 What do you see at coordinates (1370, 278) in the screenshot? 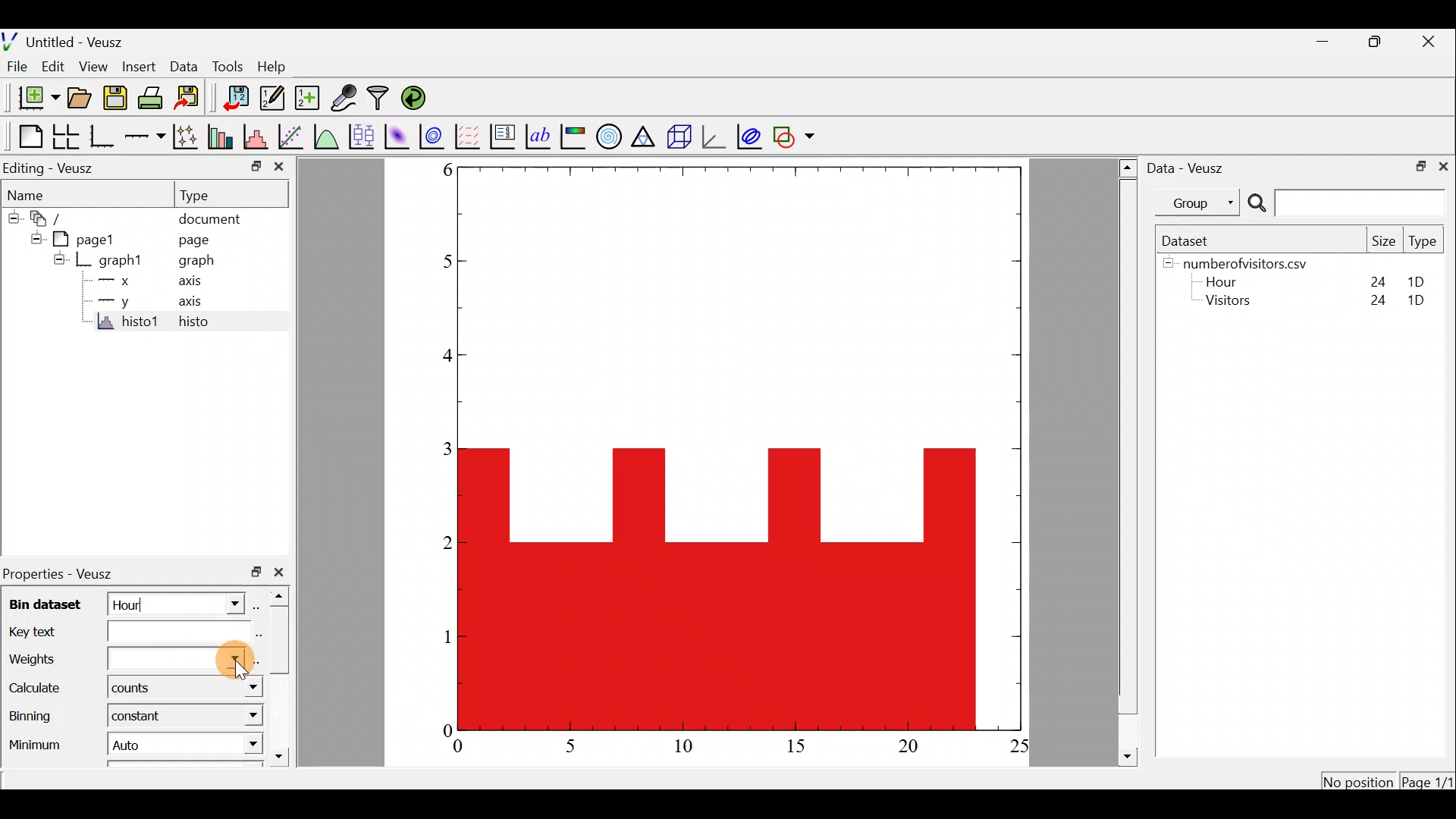
I see `24` at bounding box center [1370, 278].